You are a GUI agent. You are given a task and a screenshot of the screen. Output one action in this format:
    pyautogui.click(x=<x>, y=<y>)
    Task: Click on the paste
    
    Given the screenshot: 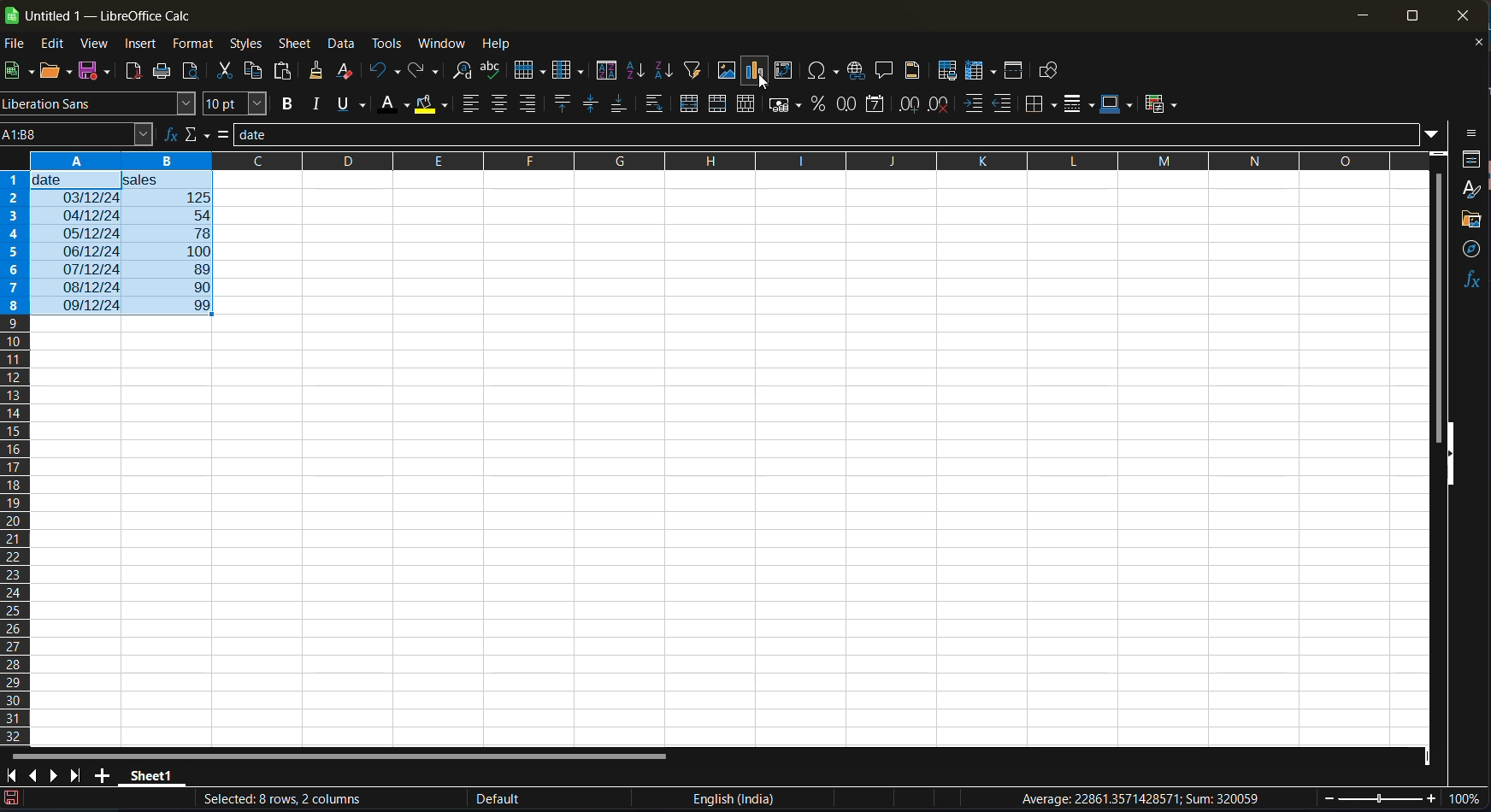 What is the action you would take?
    pyautogui.click(x=286, y=71)
    